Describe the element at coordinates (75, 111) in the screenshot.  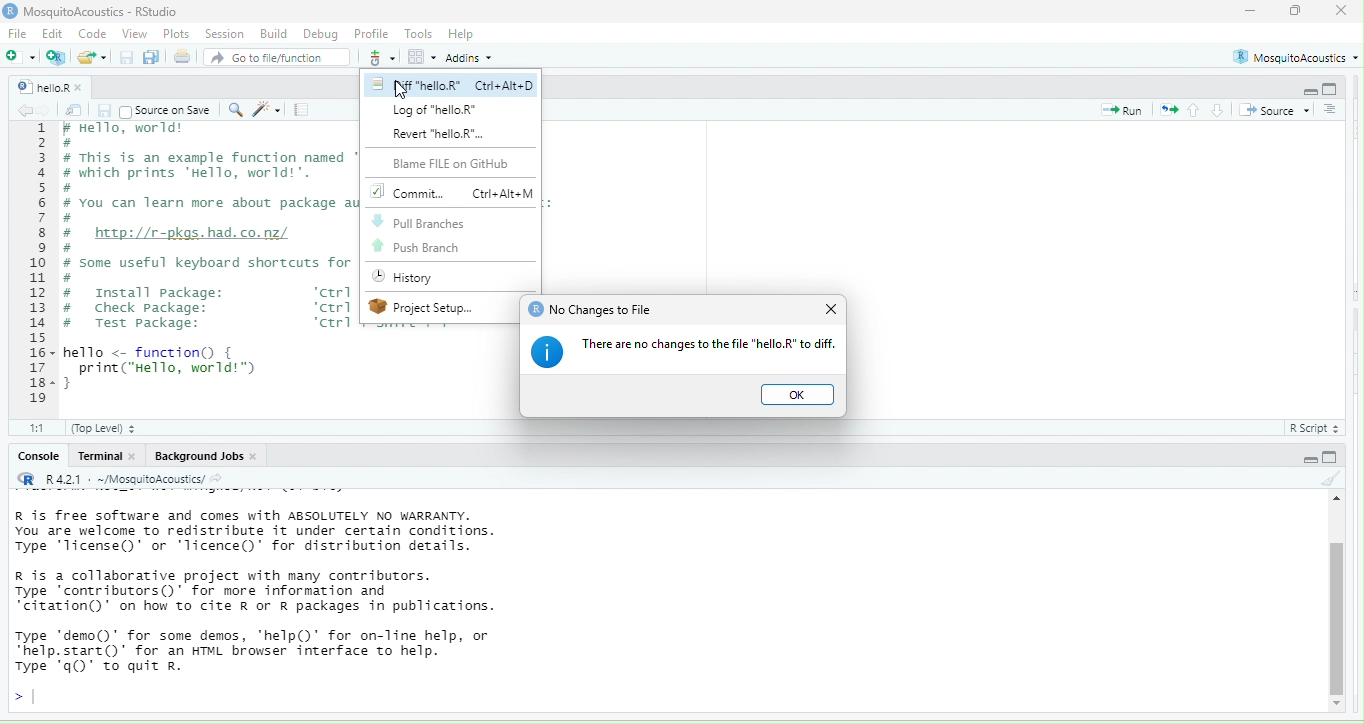
I see `show in new window` at that location.